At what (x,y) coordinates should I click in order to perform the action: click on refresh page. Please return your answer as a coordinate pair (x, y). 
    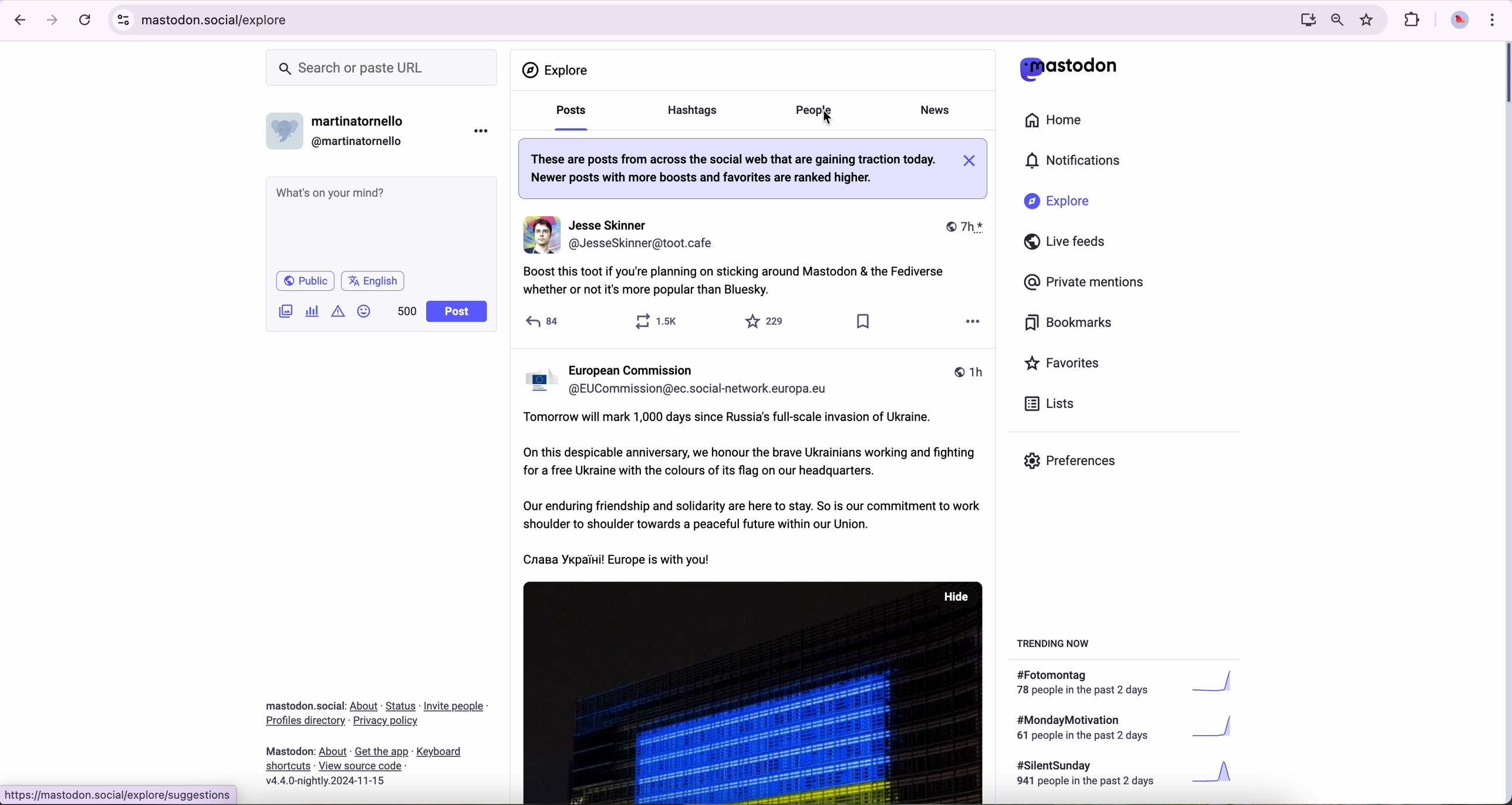
    Looking at the image, I should click on (86, 21).